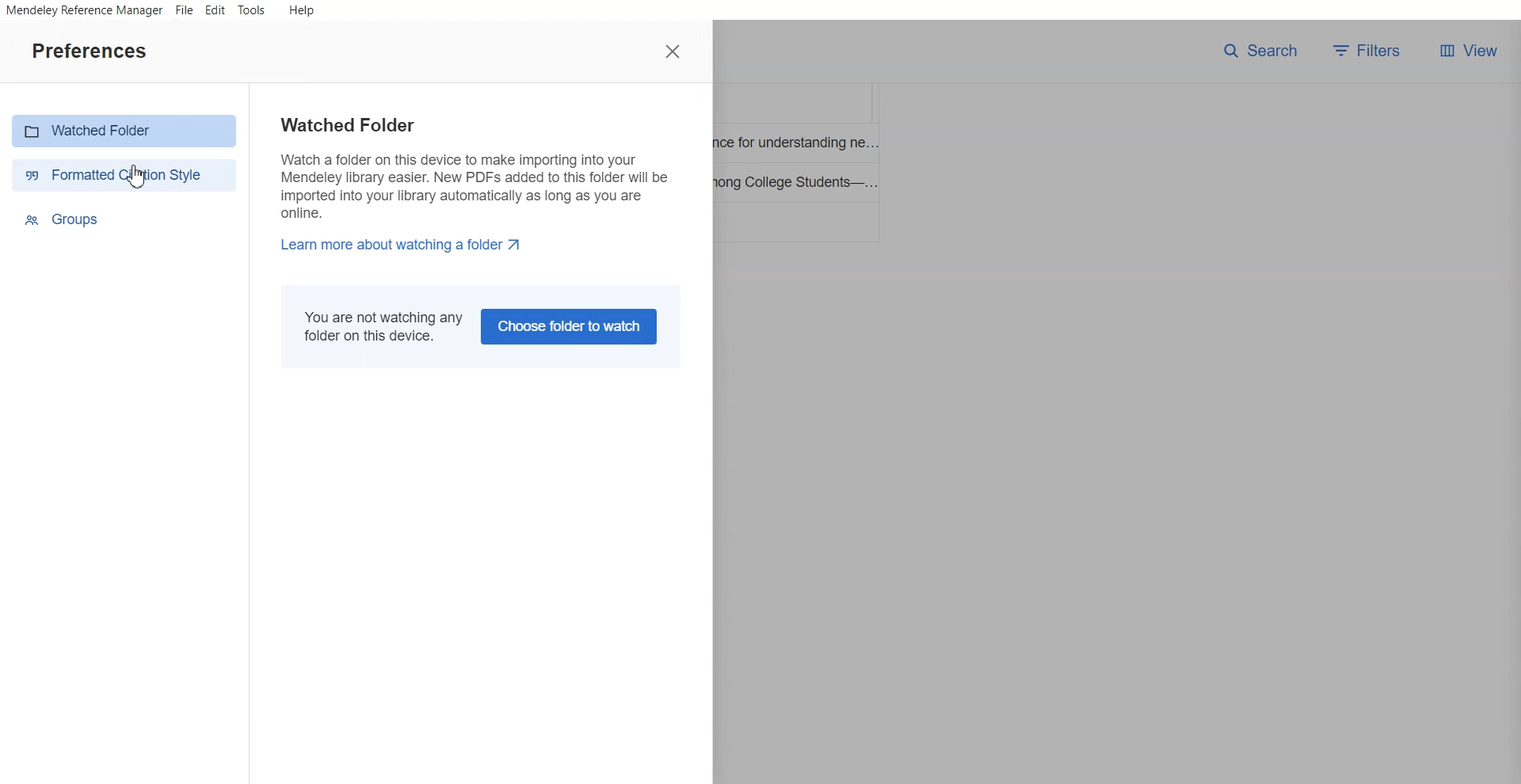  Describe the element at coordinates (124, 131) in the screenshot. I see `Watched Folder` at that location.